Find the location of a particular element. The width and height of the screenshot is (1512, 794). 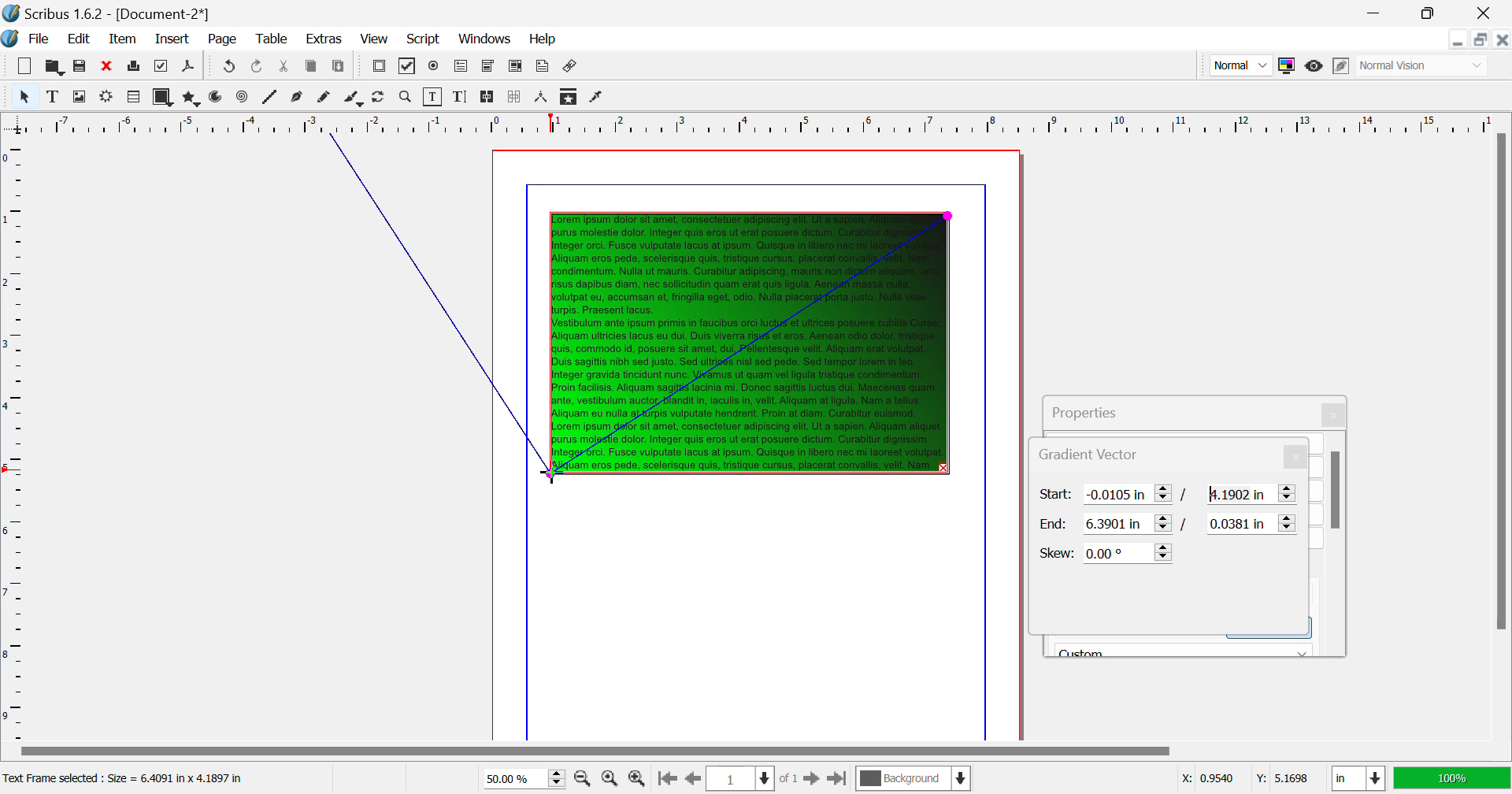

Cursor Coordinates is located at coordinates (1244, 779).